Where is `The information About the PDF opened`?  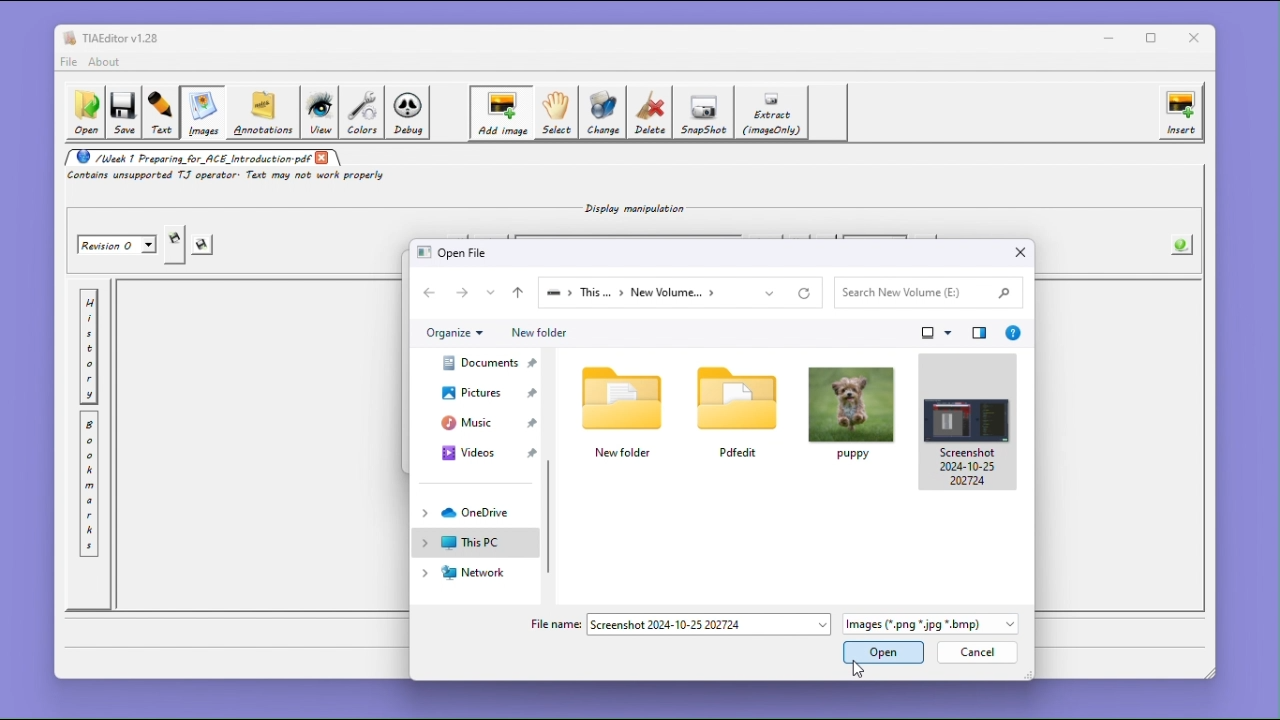 The information About the PDF opened is located at coordinates (1183, 243).